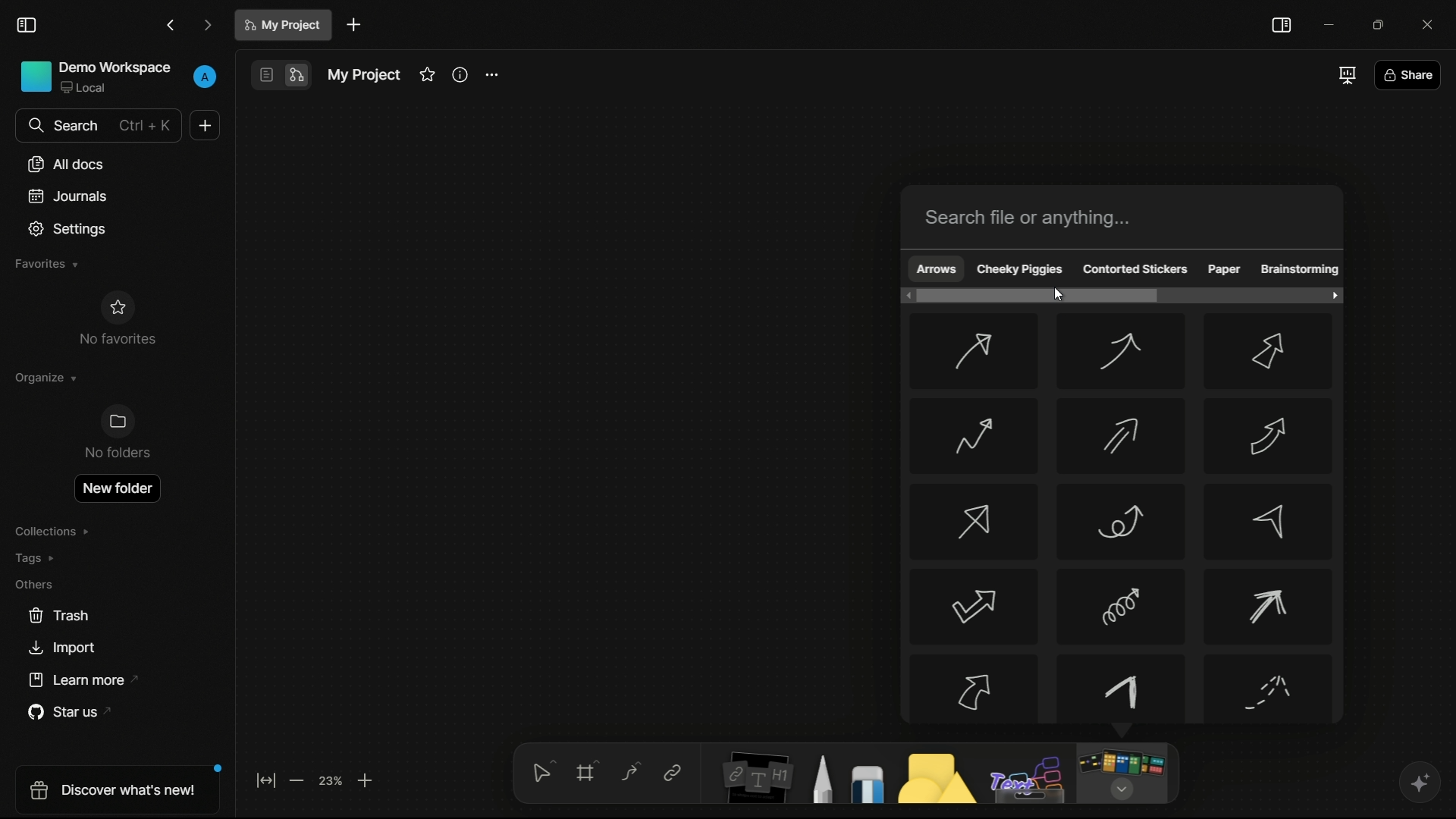 This screenshot has width=1456, height=819. I want to click on paper, so click(1223, 270).